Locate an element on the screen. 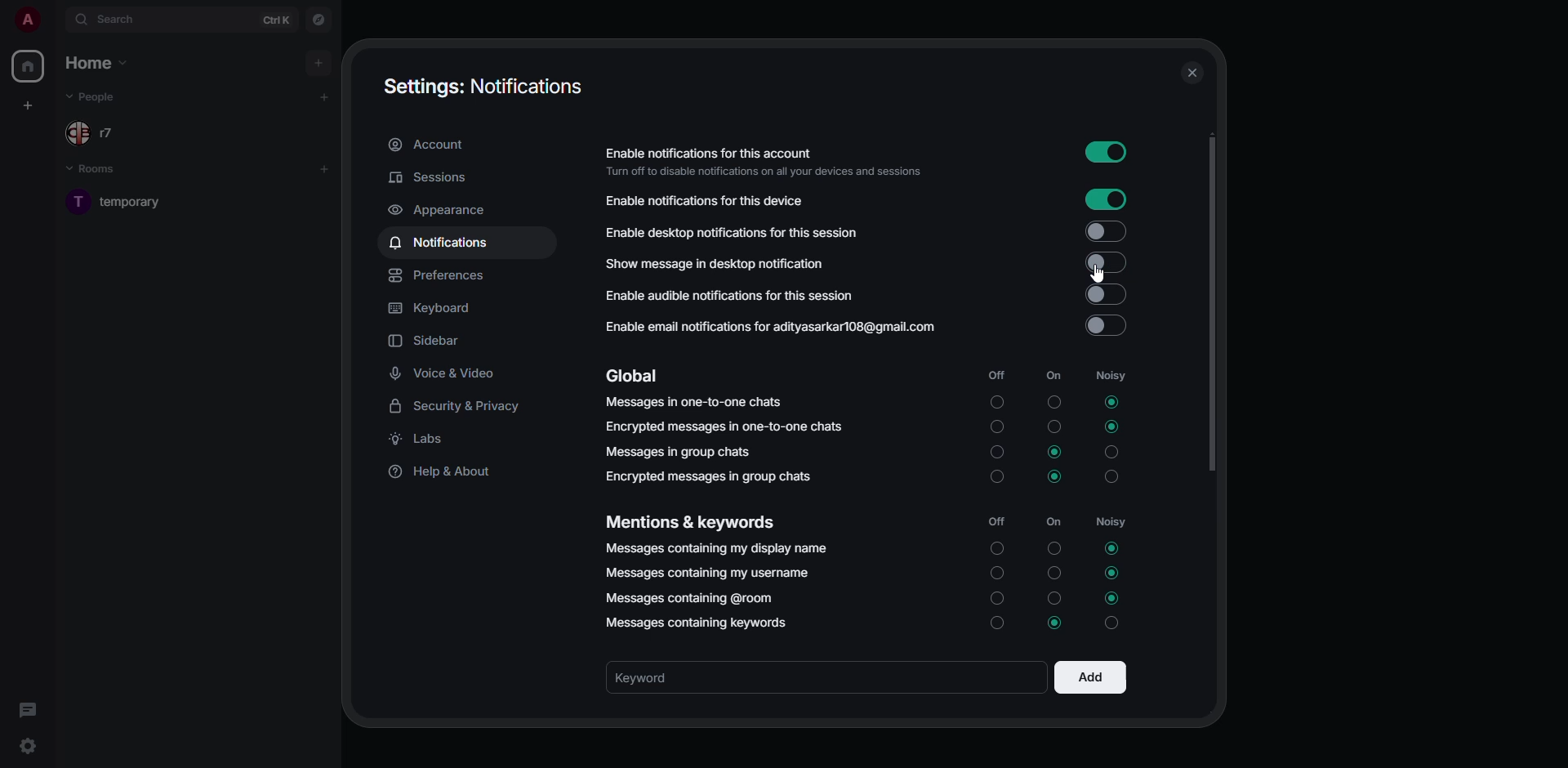  close is located at coordinates (1192, 74).